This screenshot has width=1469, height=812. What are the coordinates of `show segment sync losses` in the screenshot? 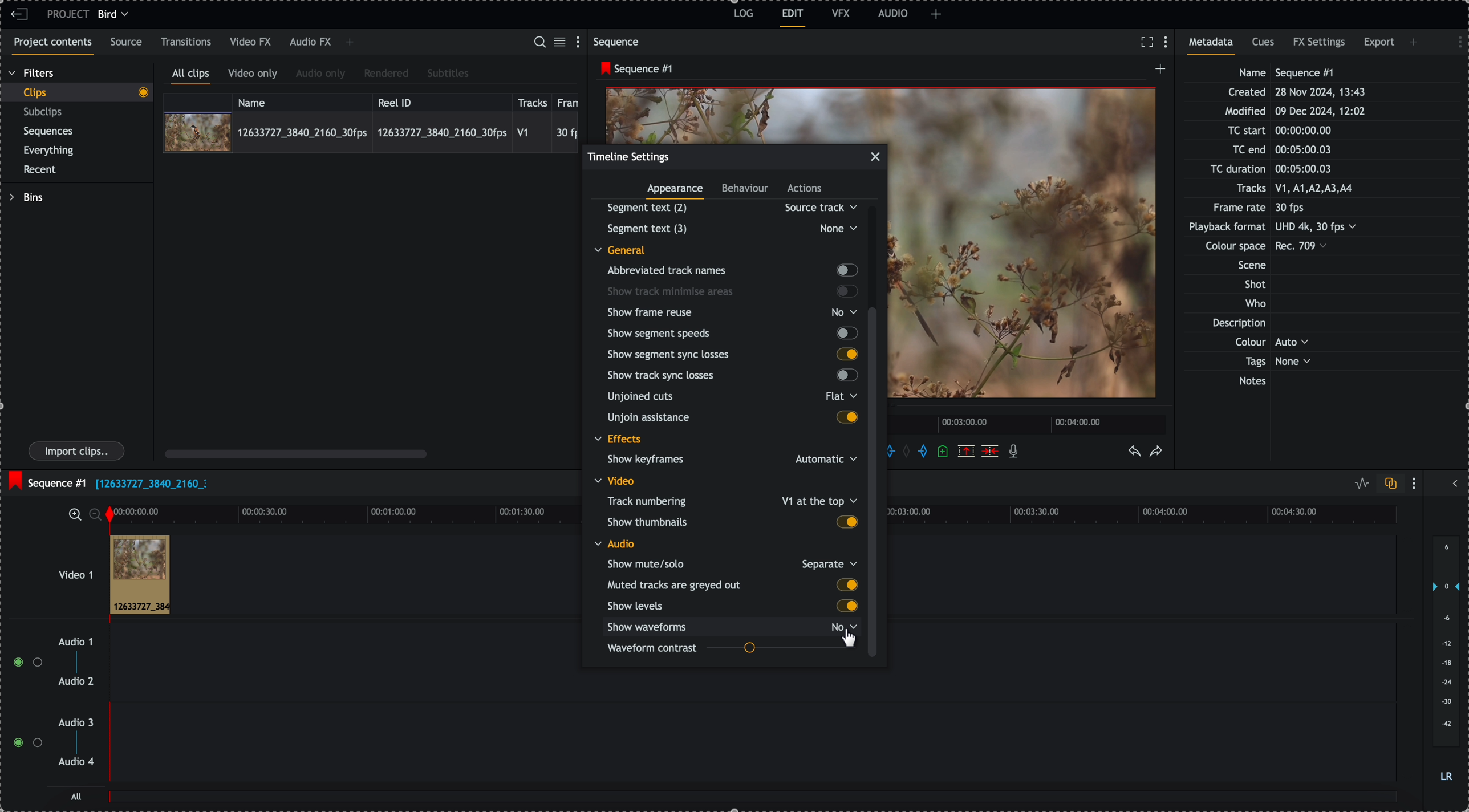 It's located at (732, 354).